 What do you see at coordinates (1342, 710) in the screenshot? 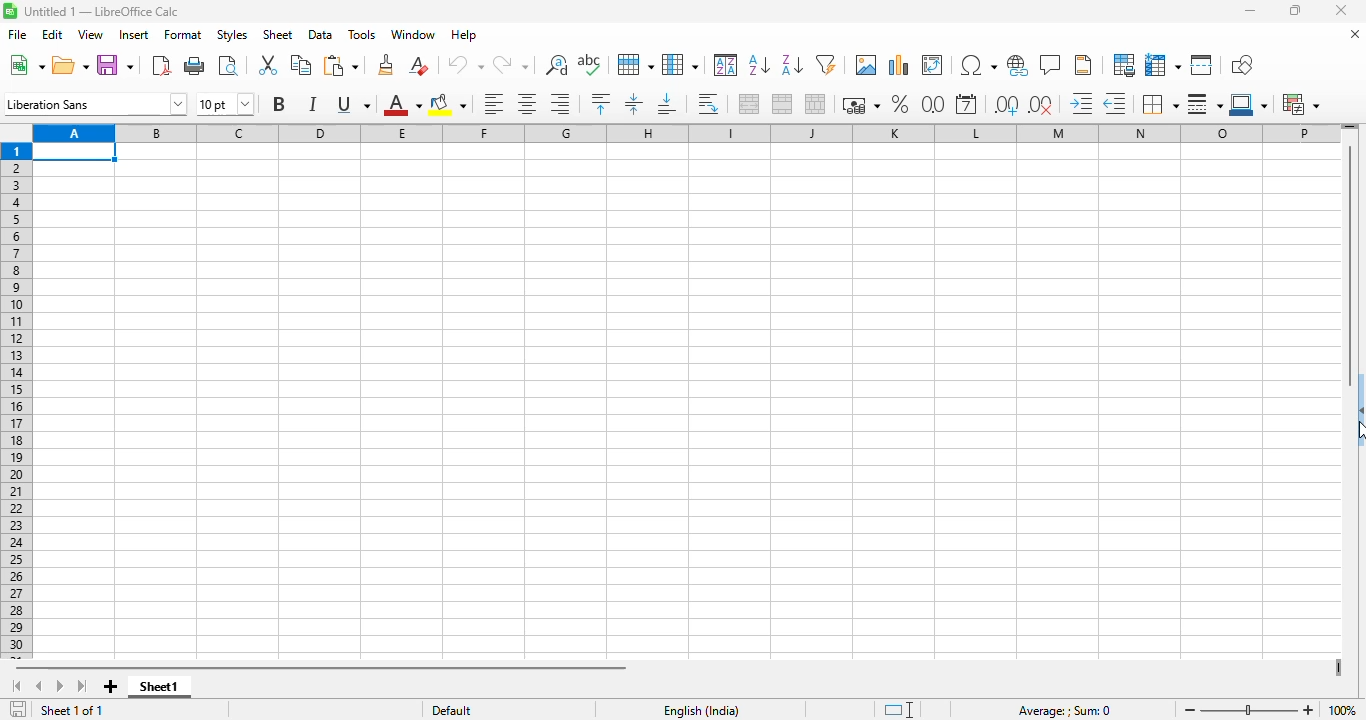
I see `zoom factor` at bounding box center [1342, 710].